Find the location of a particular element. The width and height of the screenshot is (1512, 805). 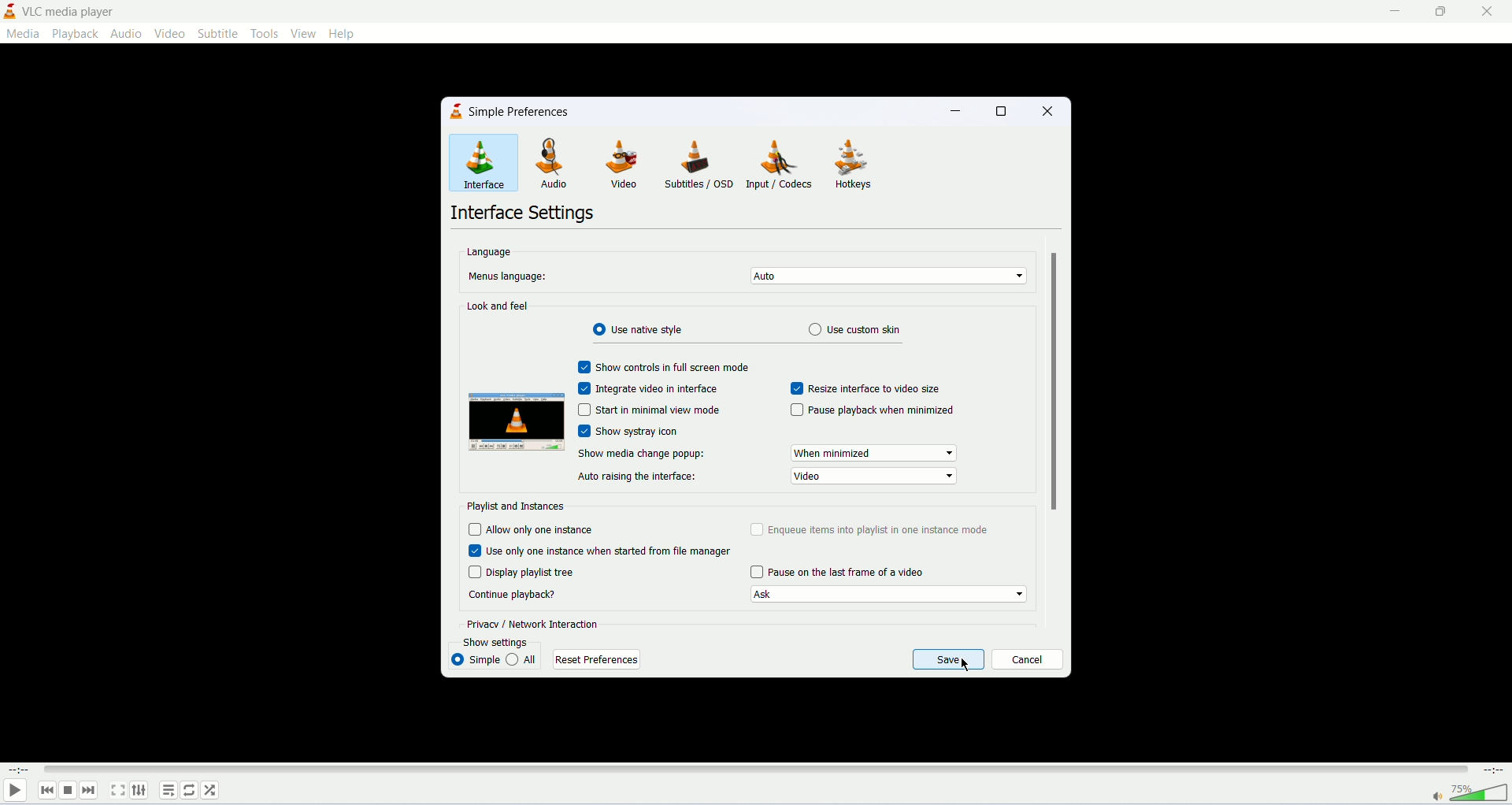

pause playback when minimized is located at coordinates (872, 409).